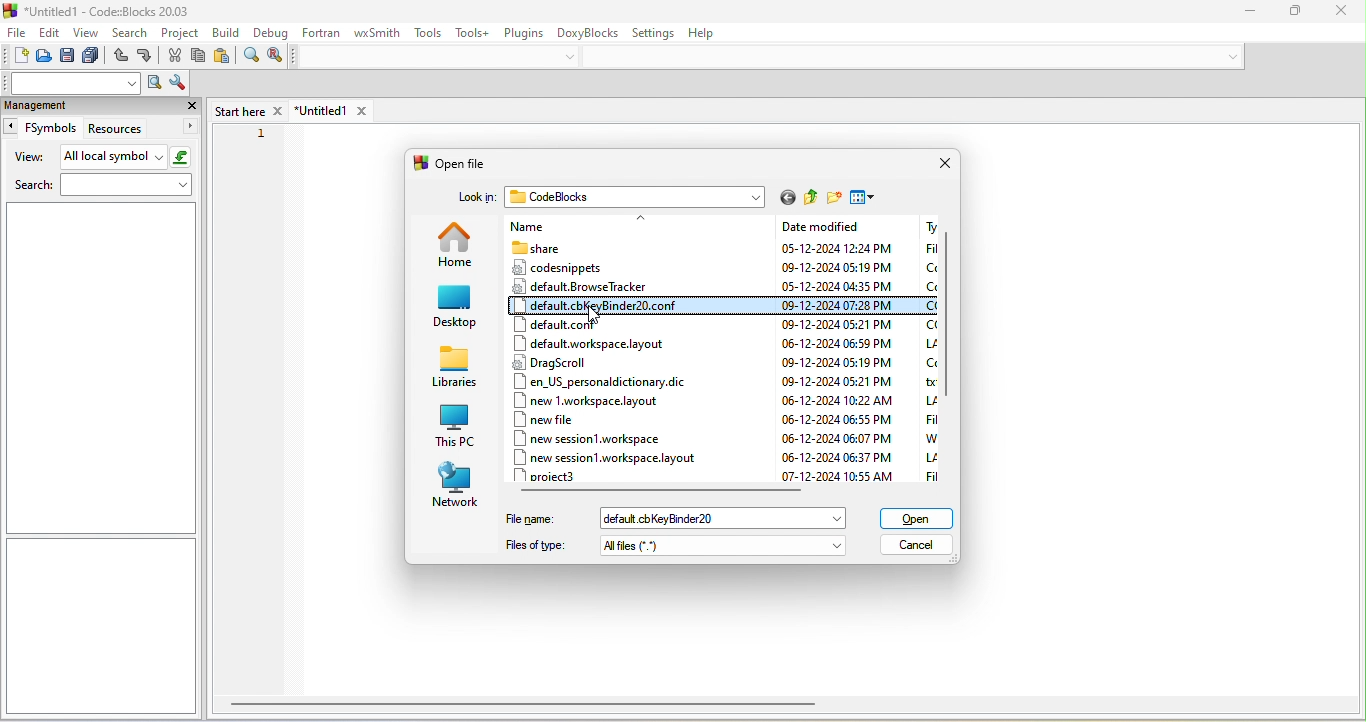  I want to click on up one level, so click(810, 196).